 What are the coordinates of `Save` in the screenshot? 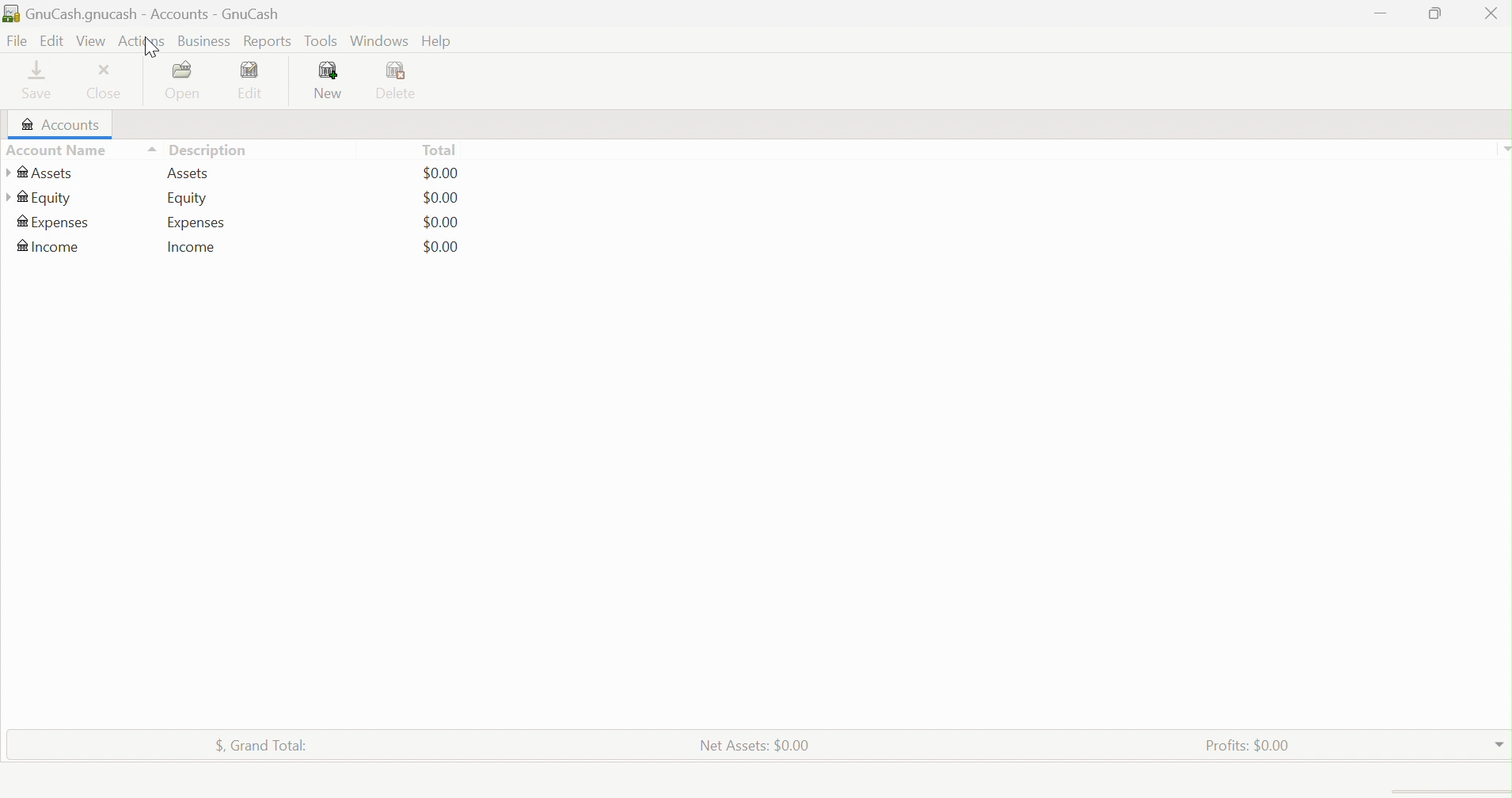 It's located at (42, 80).